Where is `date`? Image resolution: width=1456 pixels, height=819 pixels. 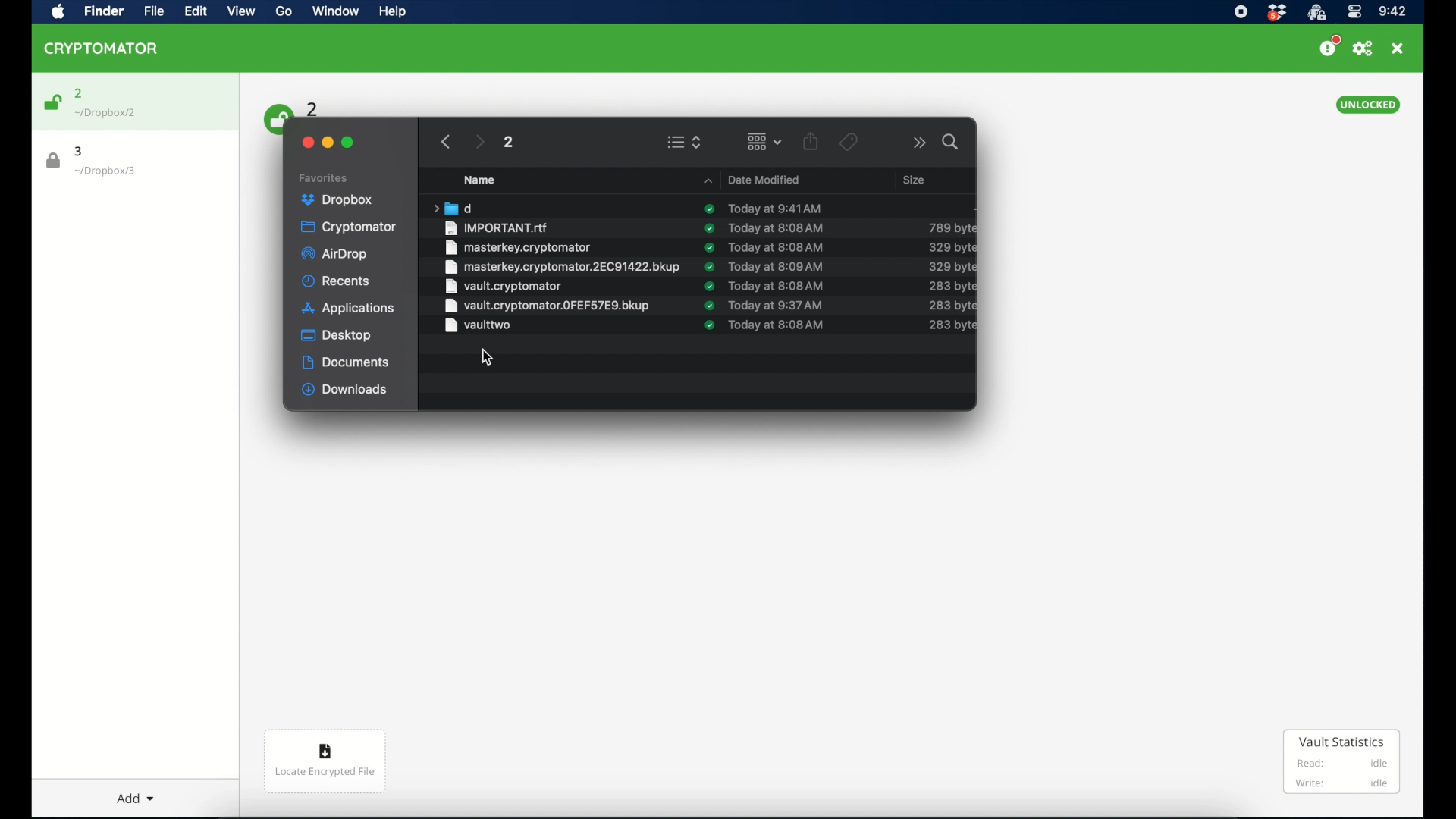
date is located at coordinates (776, 285).